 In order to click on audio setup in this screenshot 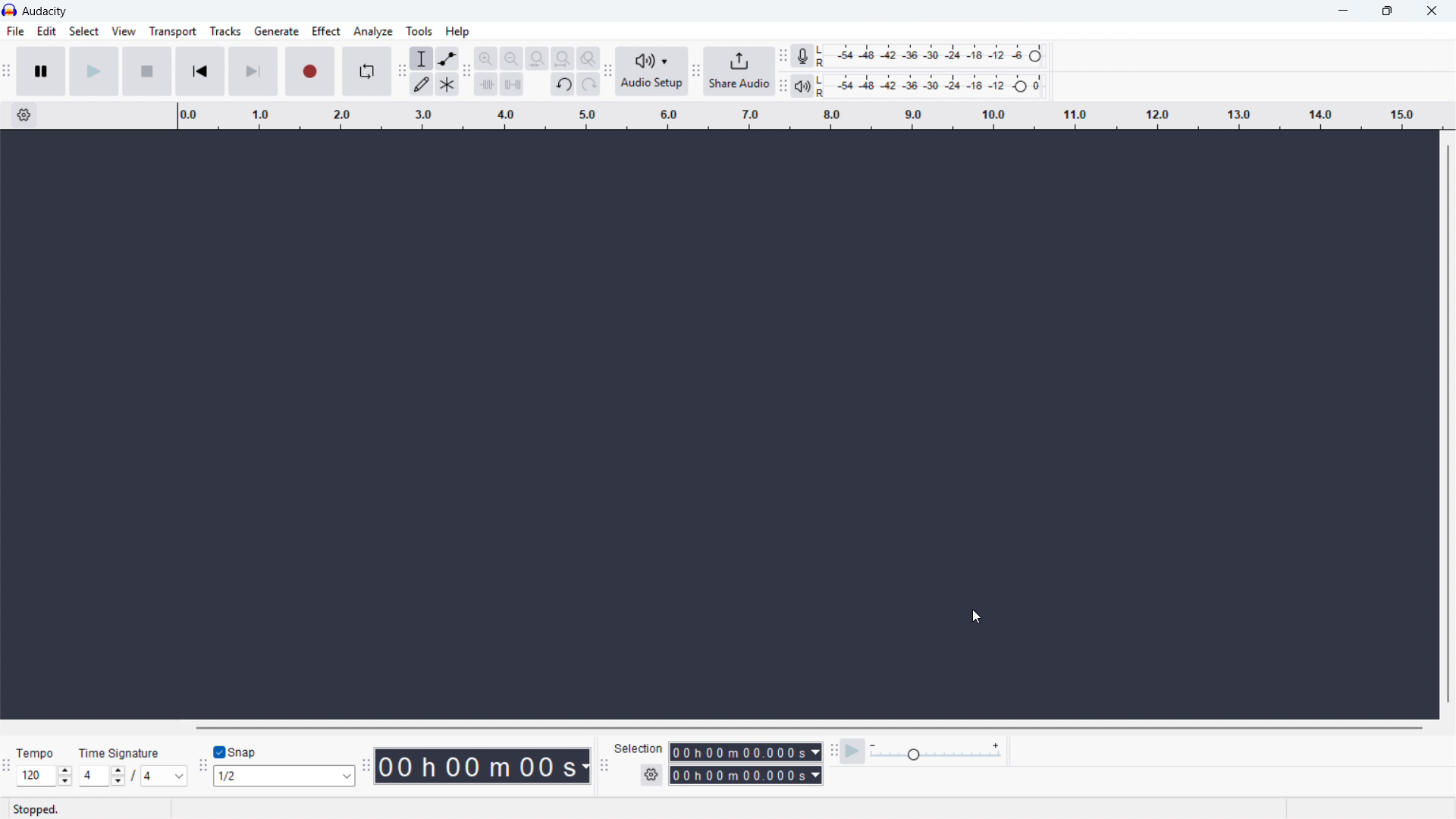, I will do `click(652, 71)`.